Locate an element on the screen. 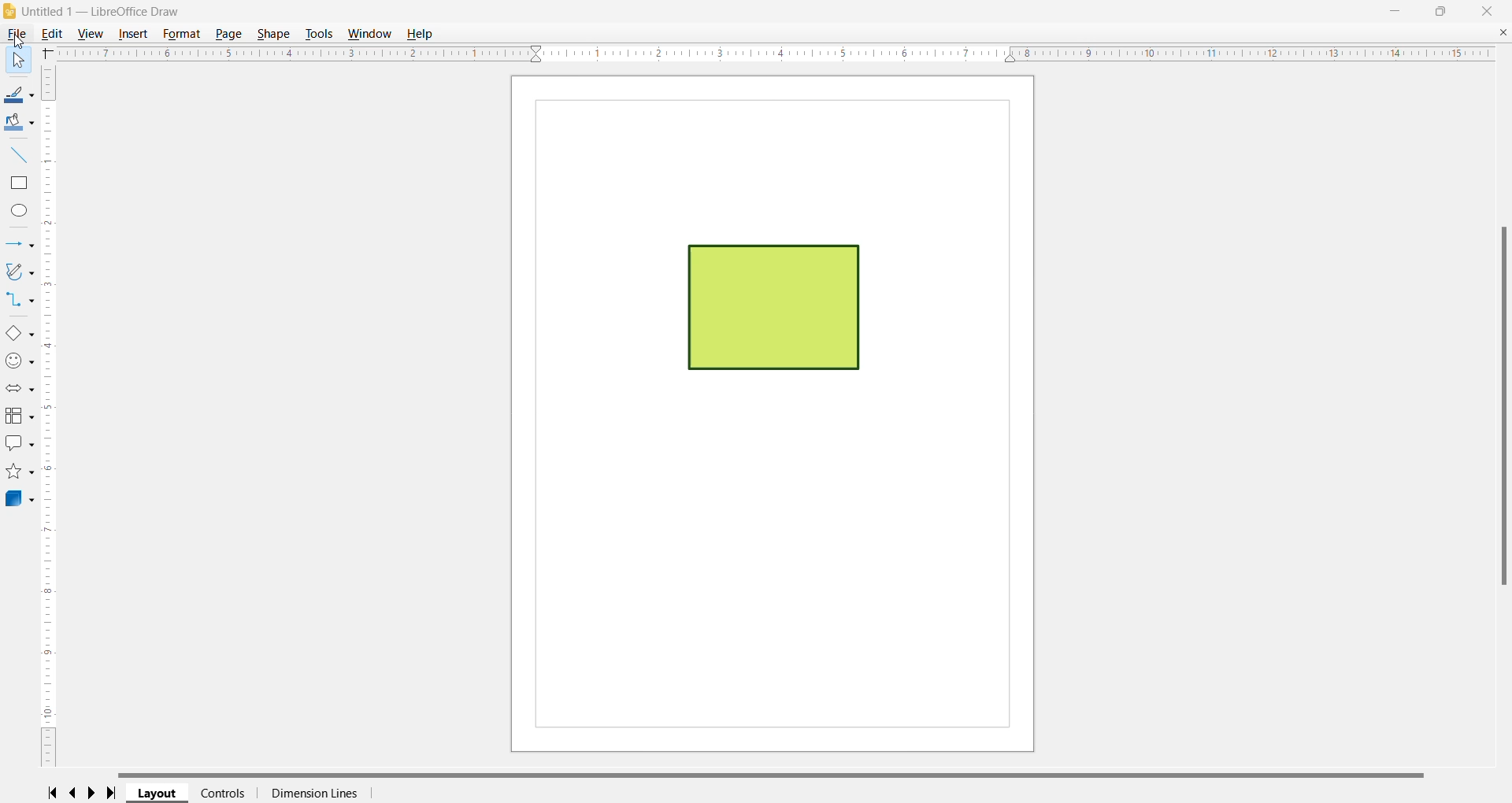 Image resolution: width=1512 pixels, height=803 pixels. Rectangle is located at coordinates (20, 184).